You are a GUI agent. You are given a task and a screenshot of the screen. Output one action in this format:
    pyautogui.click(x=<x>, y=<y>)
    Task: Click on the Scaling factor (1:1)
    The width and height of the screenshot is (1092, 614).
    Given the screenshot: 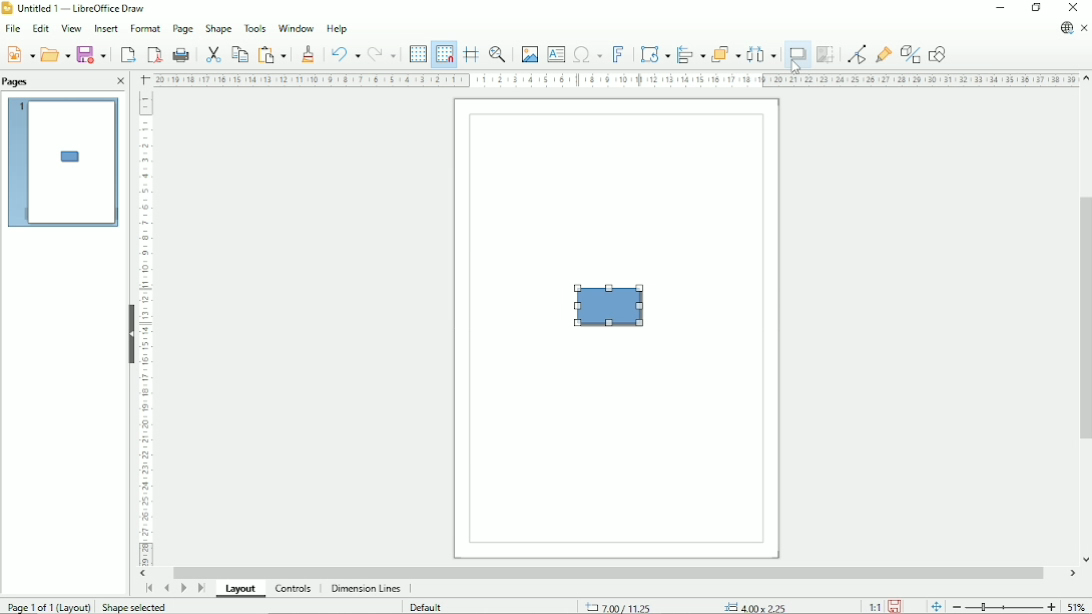 What is the action you would take?
    pyautogui.click(x=870, y=606)
    